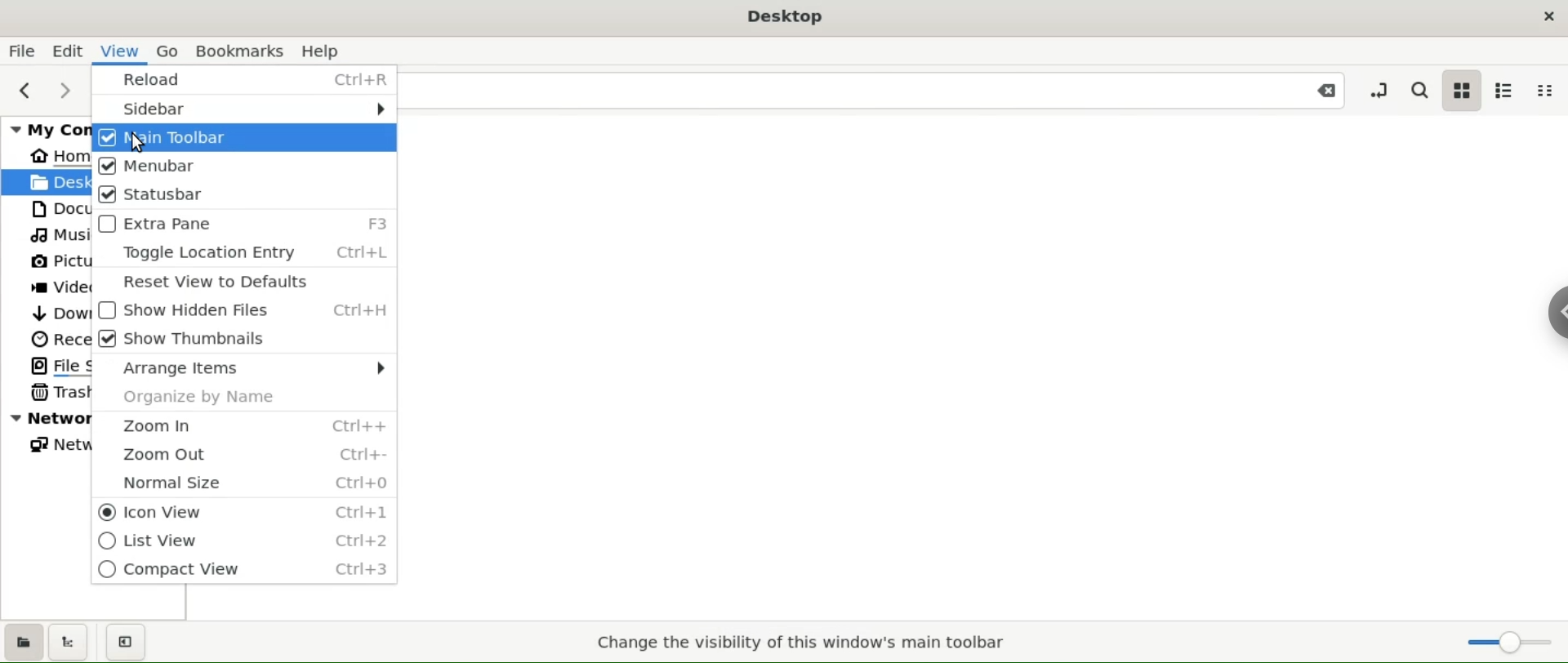 Image resolution: width=1568 pixels, height=663 pixels. I want to click on toggle location entry, so click(243, 254).